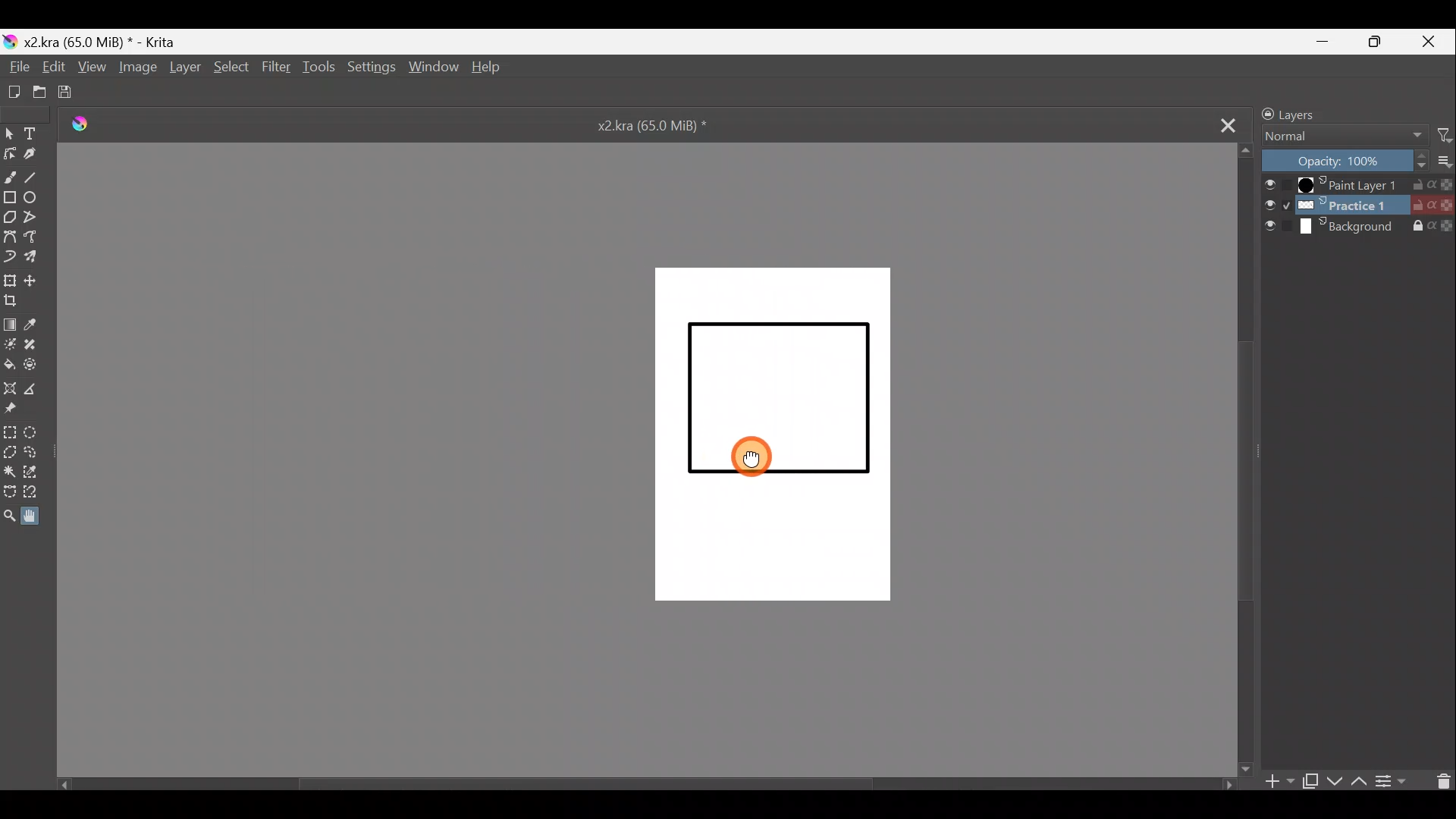 This screenshot has height=819, width=1456. What do you see at coordinates (1376, 42) in the screenshot?
I see `Maximize` at bounding box center [1376, 42].